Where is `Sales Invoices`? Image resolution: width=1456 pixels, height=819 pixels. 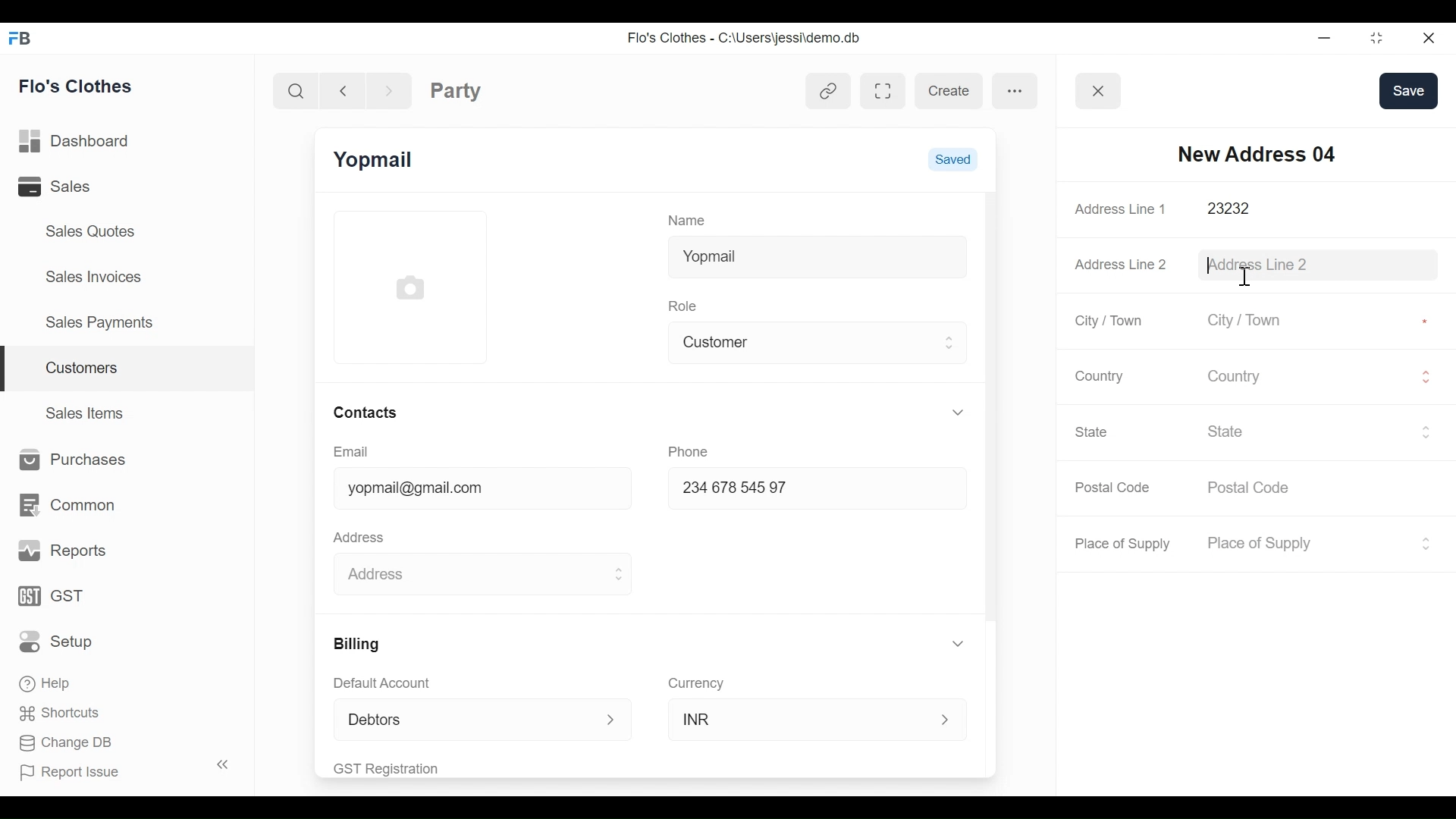 Sales Invoices is located at coordinates (96, 275).